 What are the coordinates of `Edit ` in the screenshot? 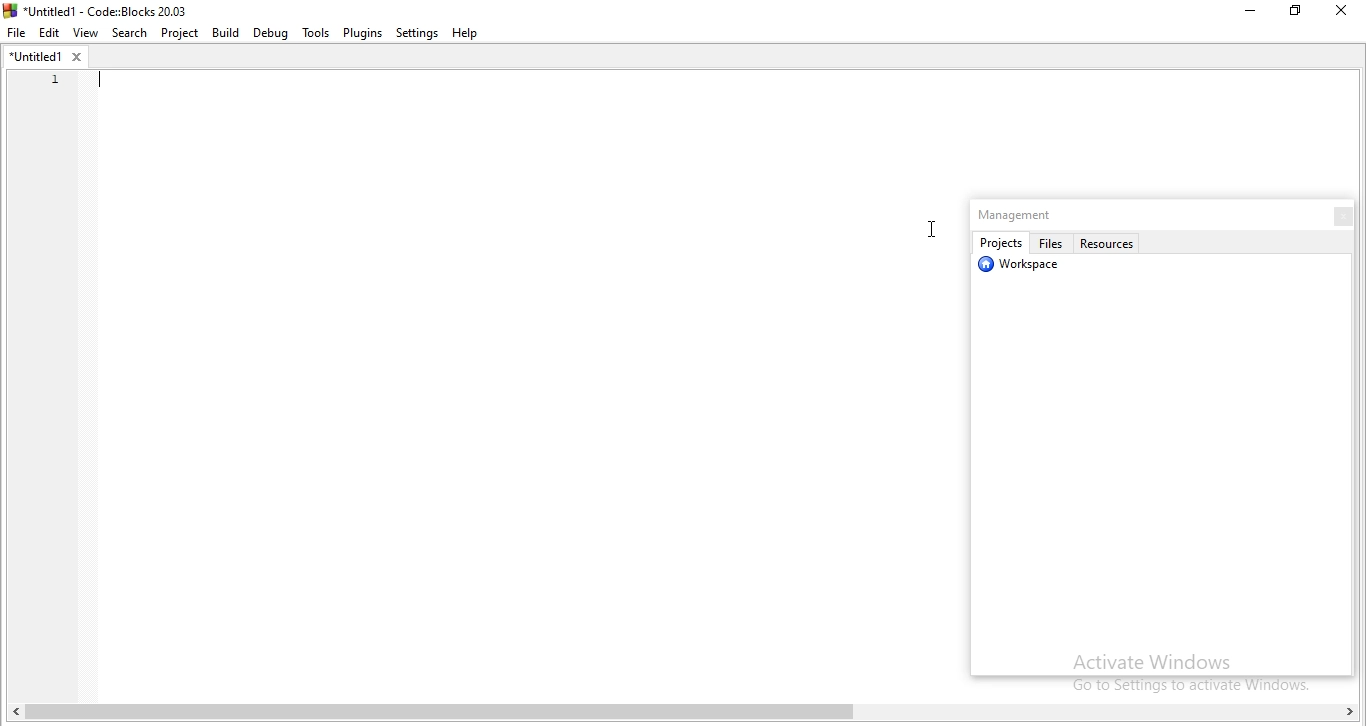 It's located at (51, 31).